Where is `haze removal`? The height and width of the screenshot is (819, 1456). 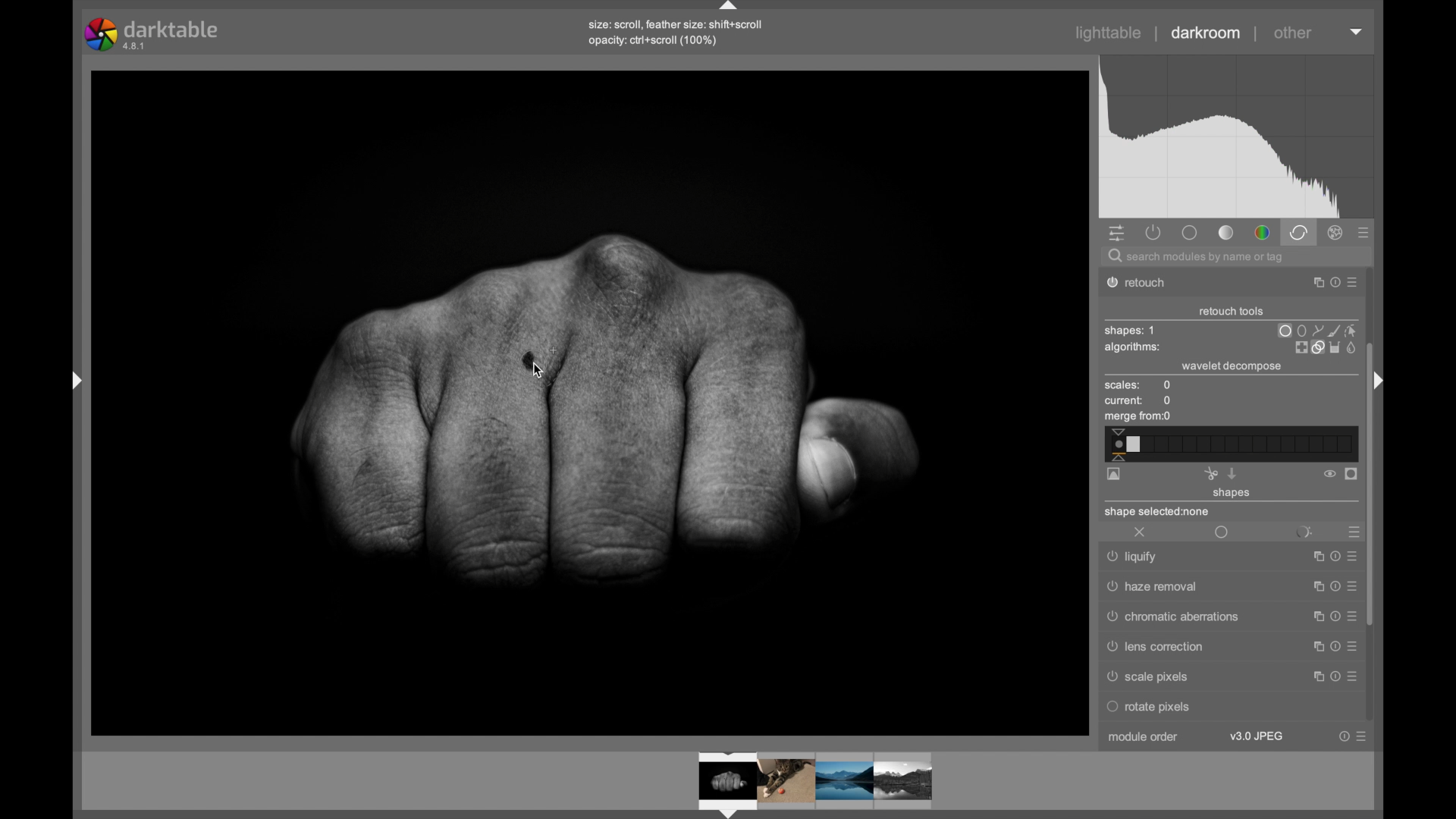 haze removal is located at coordinates (1153, 587).